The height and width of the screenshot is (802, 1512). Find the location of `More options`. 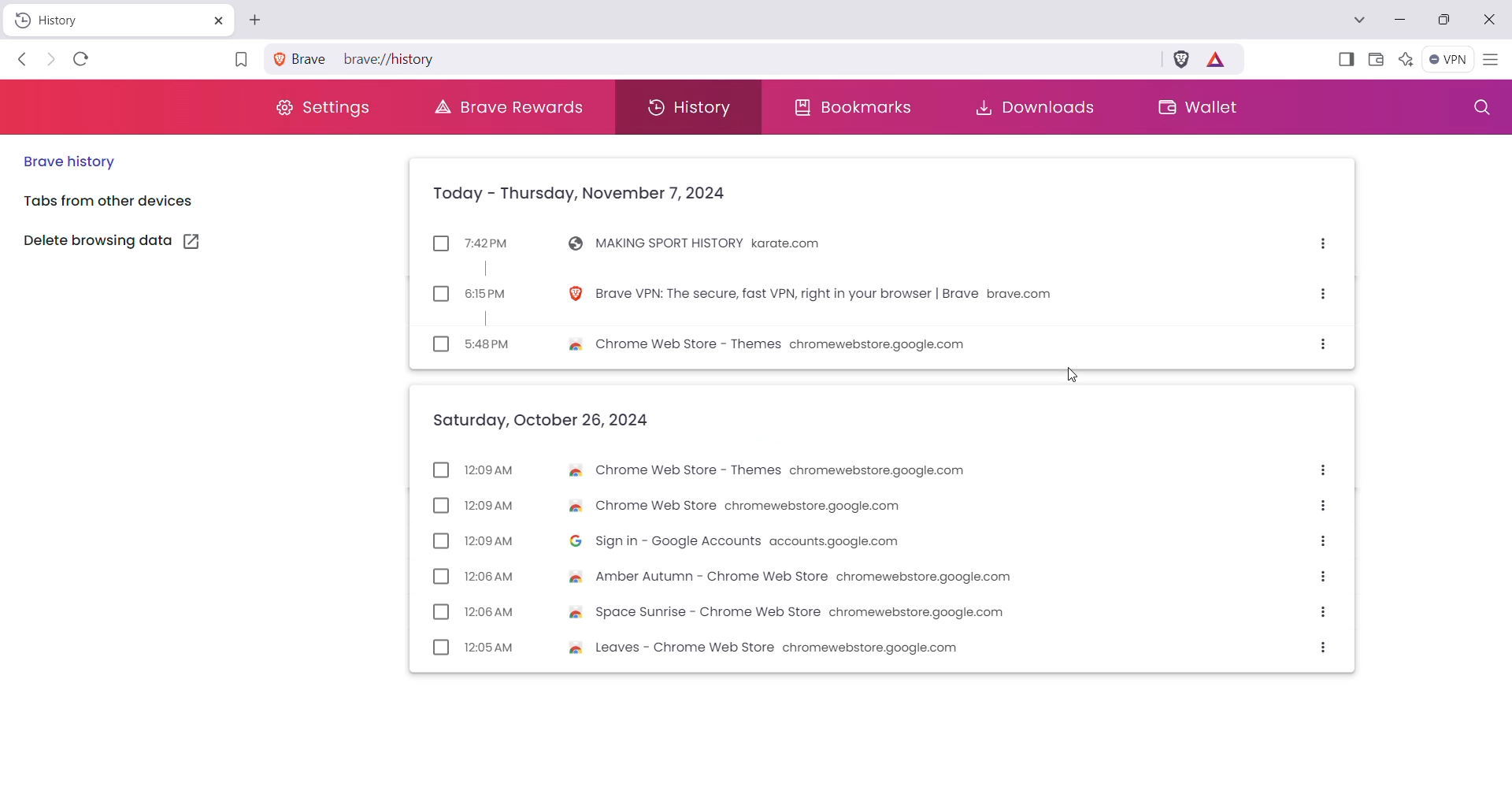

More options is located at coordinates (1324, 649).